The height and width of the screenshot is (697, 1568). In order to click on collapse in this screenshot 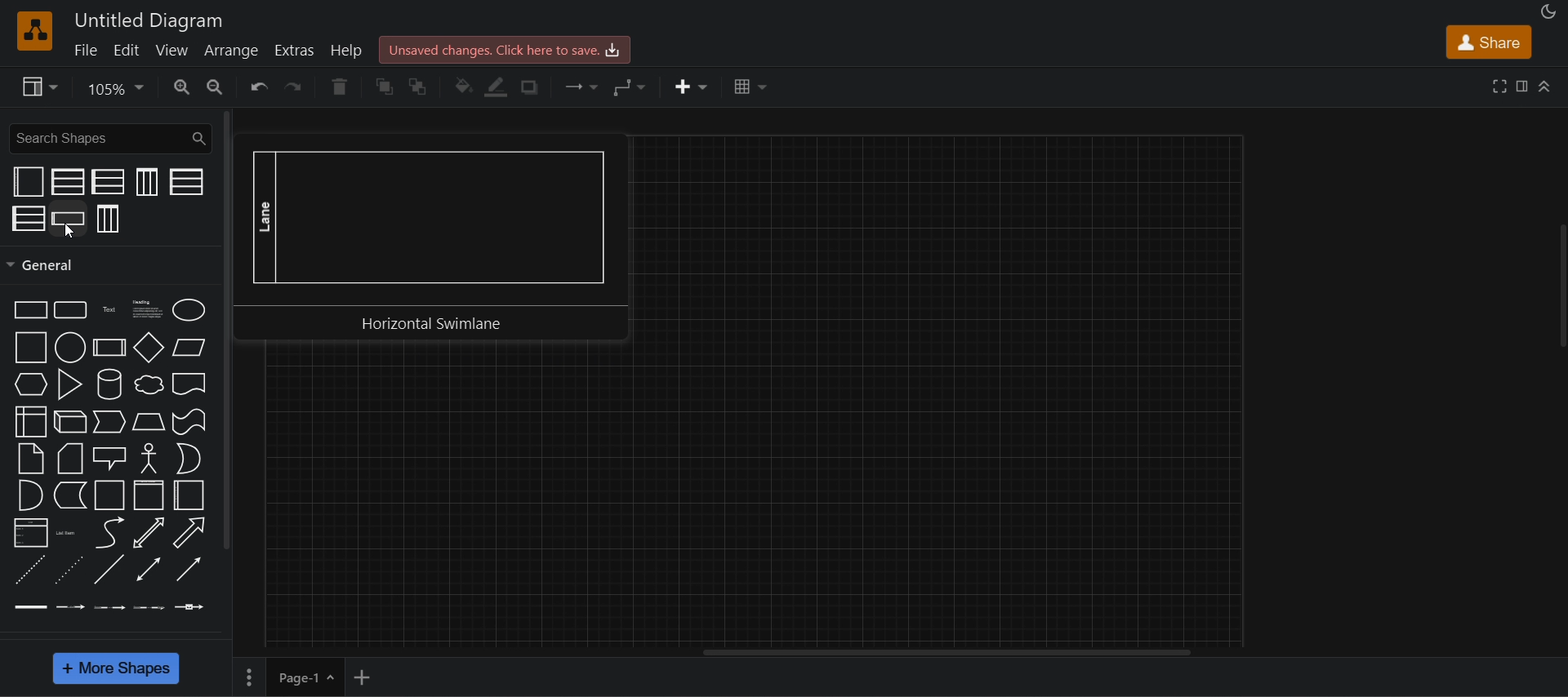, I will do `click(1557, 290)`.